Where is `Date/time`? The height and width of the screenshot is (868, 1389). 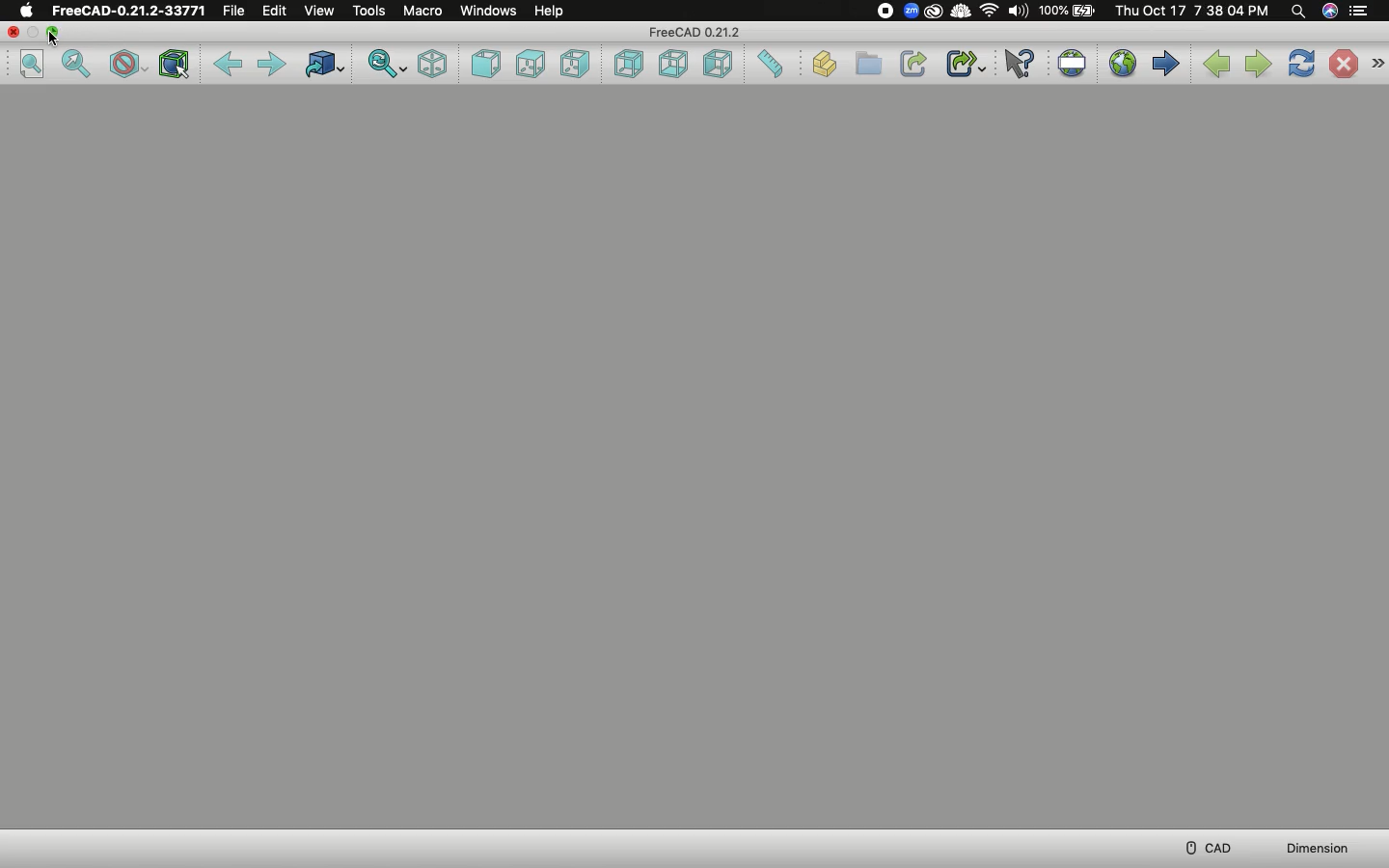 Date/time is located at coordinates (1192, 11).